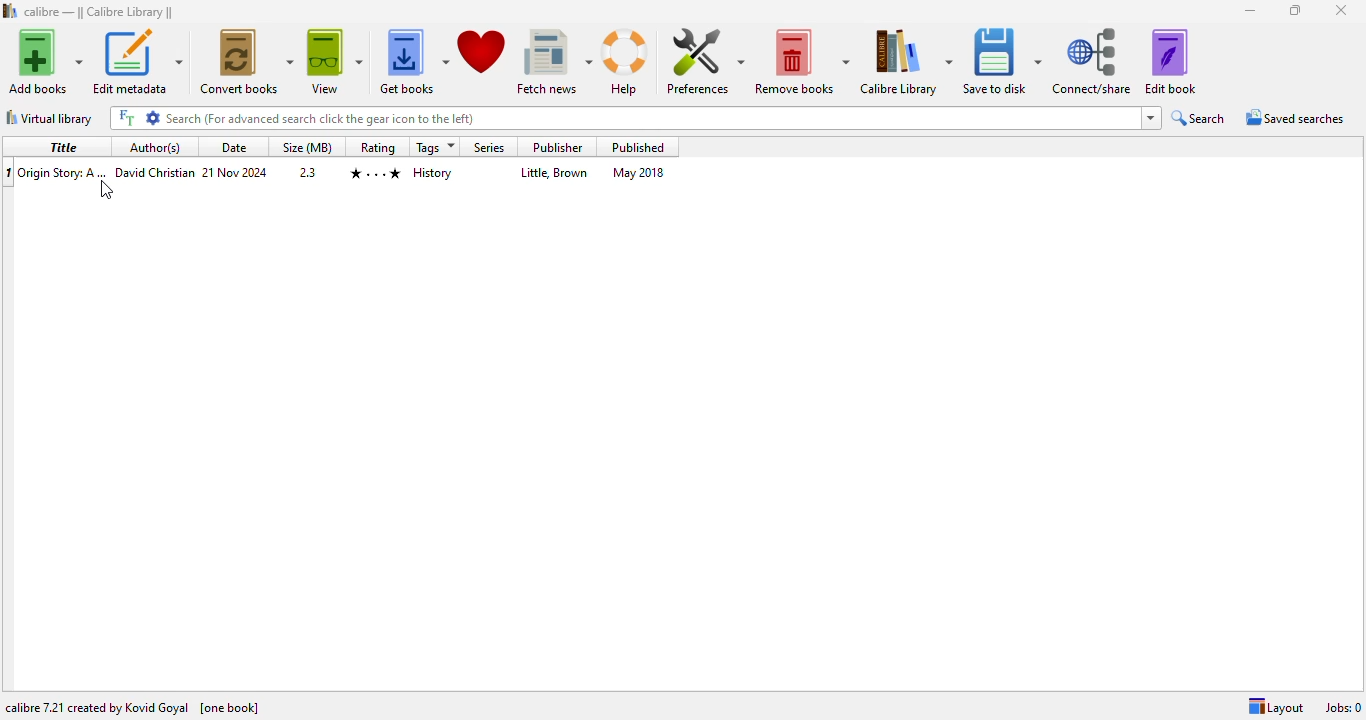 This screenshot has width=1366, height=720. What do you see at coordinates (637, 147) in the screenshot?
I see `published` at bounding box center [637, 147].